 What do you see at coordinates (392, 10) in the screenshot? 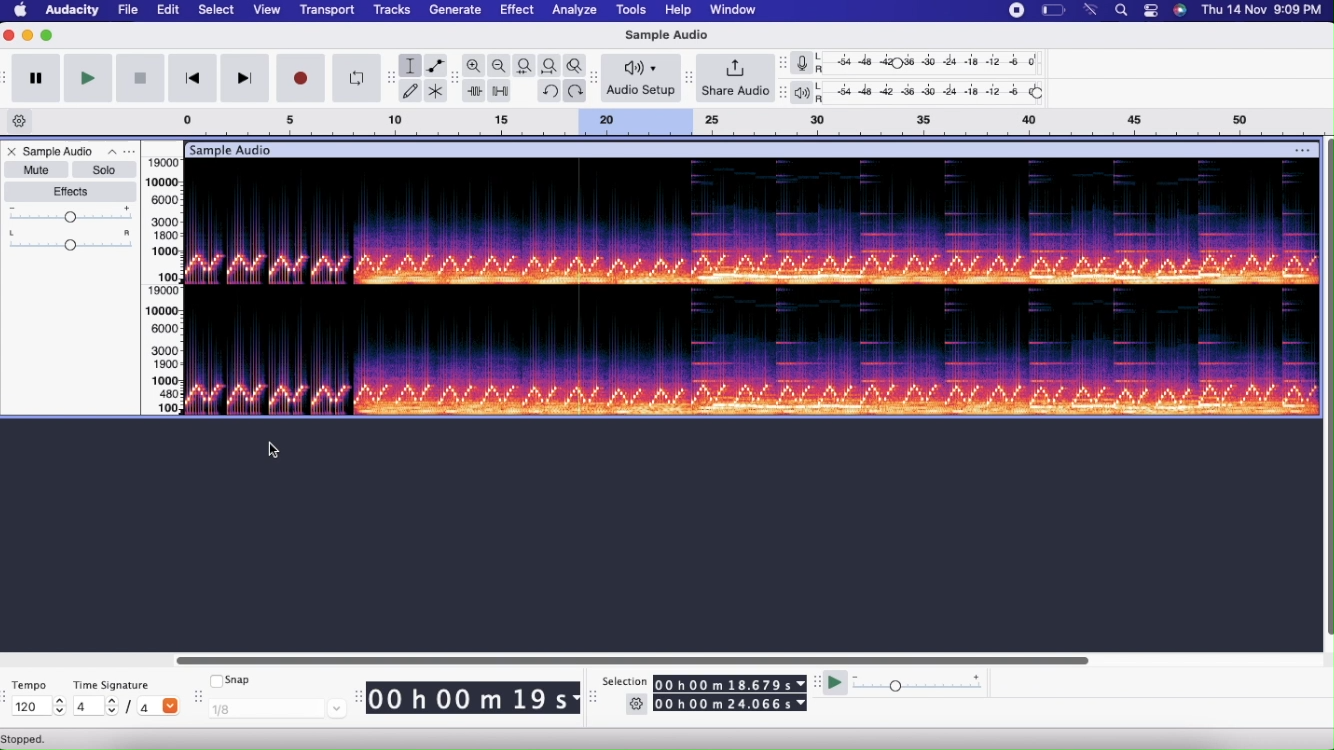
I see `Tracks` at bounding box center [392, 10].